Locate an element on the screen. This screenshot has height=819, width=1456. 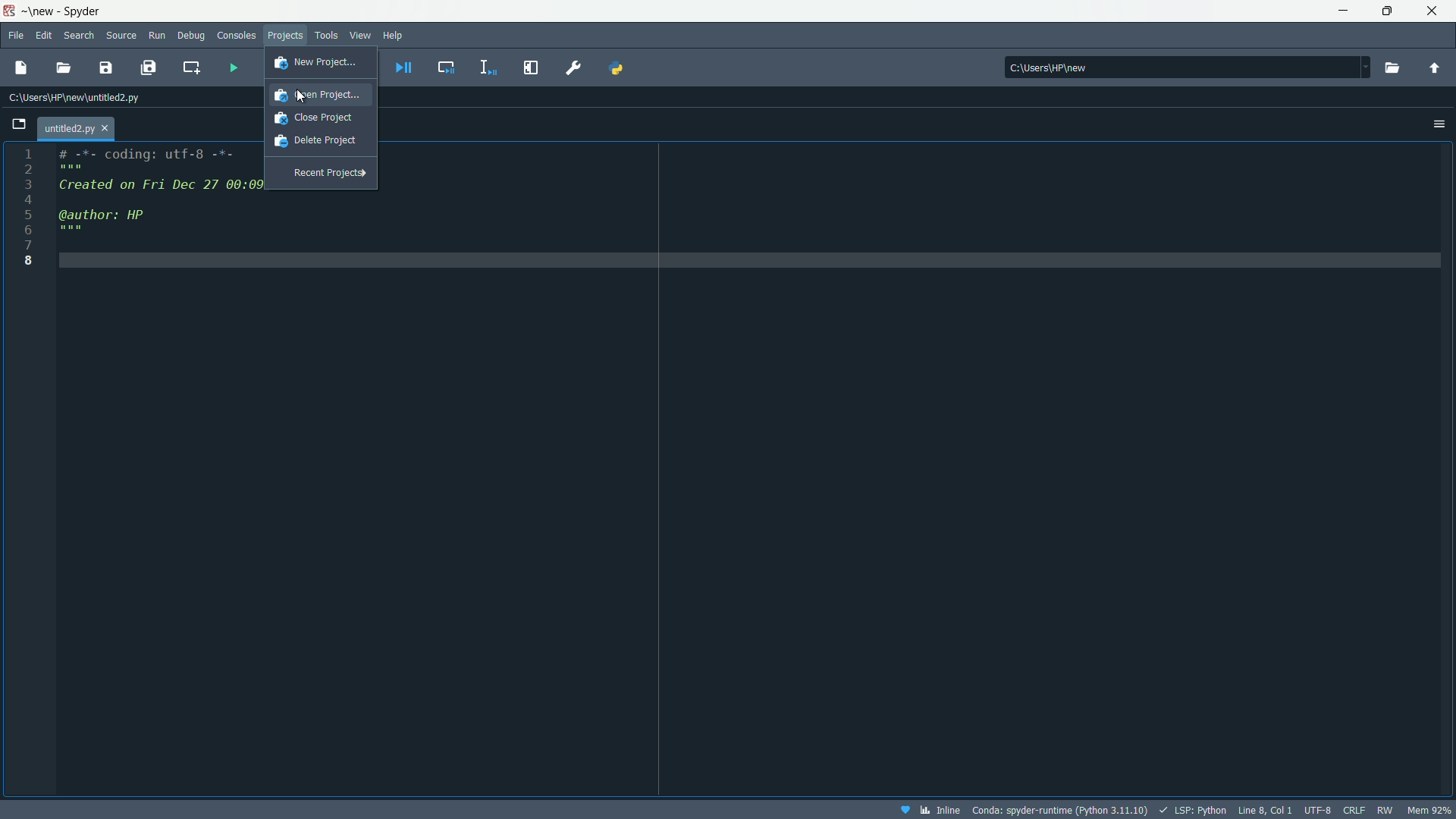
file directory is located at coordinates (75, 99).